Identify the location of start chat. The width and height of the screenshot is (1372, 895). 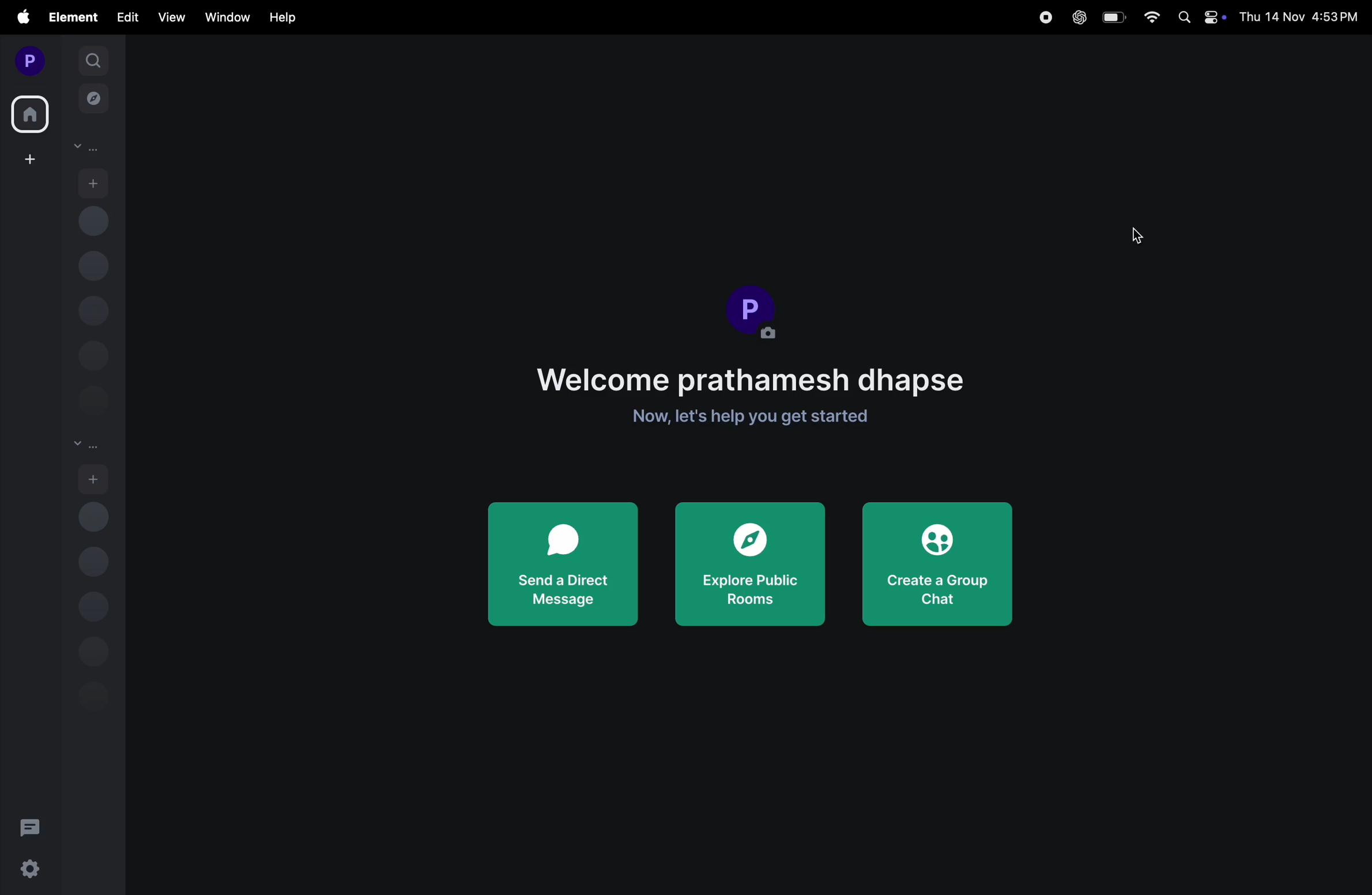
(94, 183).